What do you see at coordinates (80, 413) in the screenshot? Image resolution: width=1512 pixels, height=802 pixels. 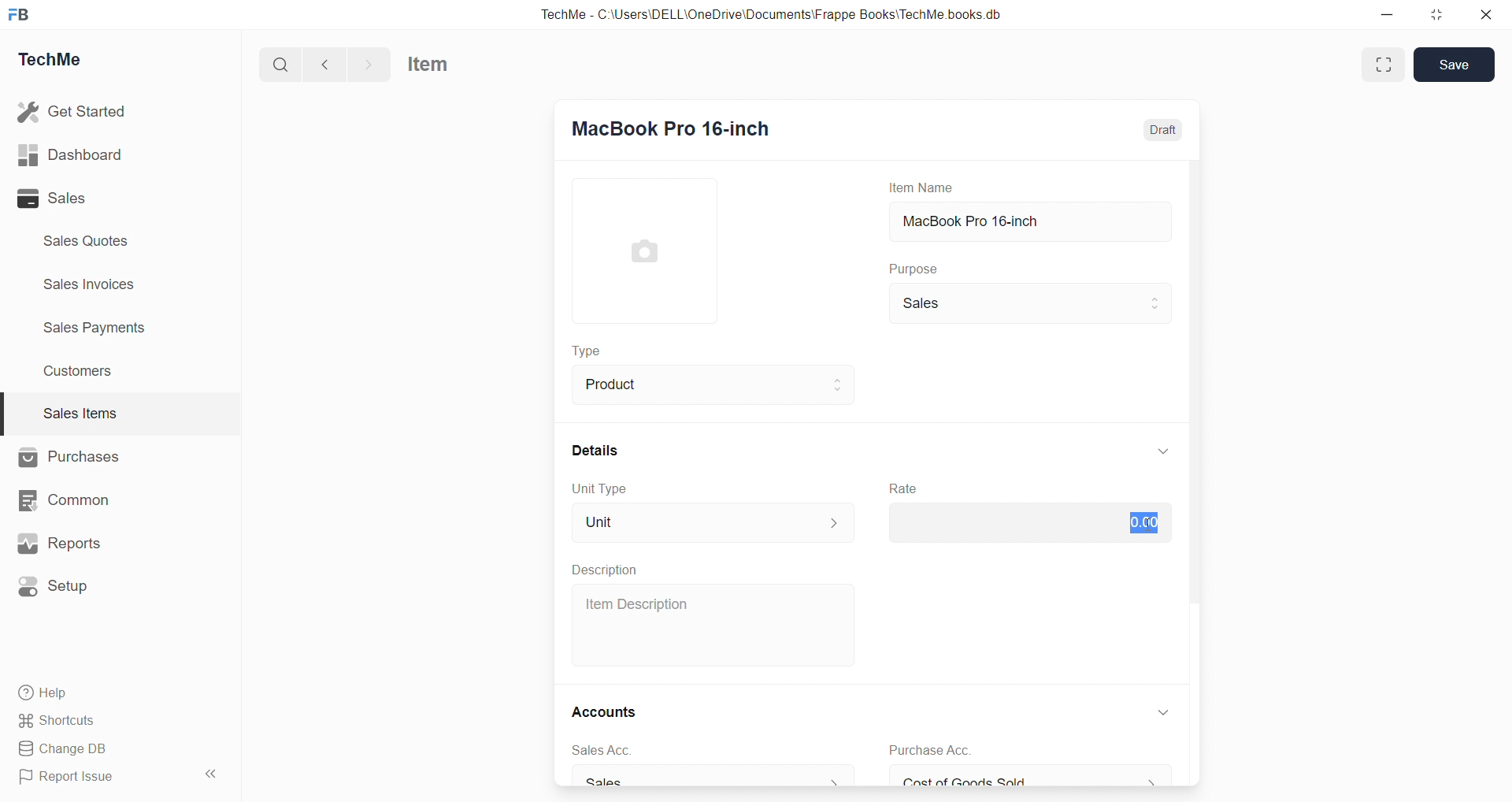 I see `Sales Items` at bounding box center [80, 413].